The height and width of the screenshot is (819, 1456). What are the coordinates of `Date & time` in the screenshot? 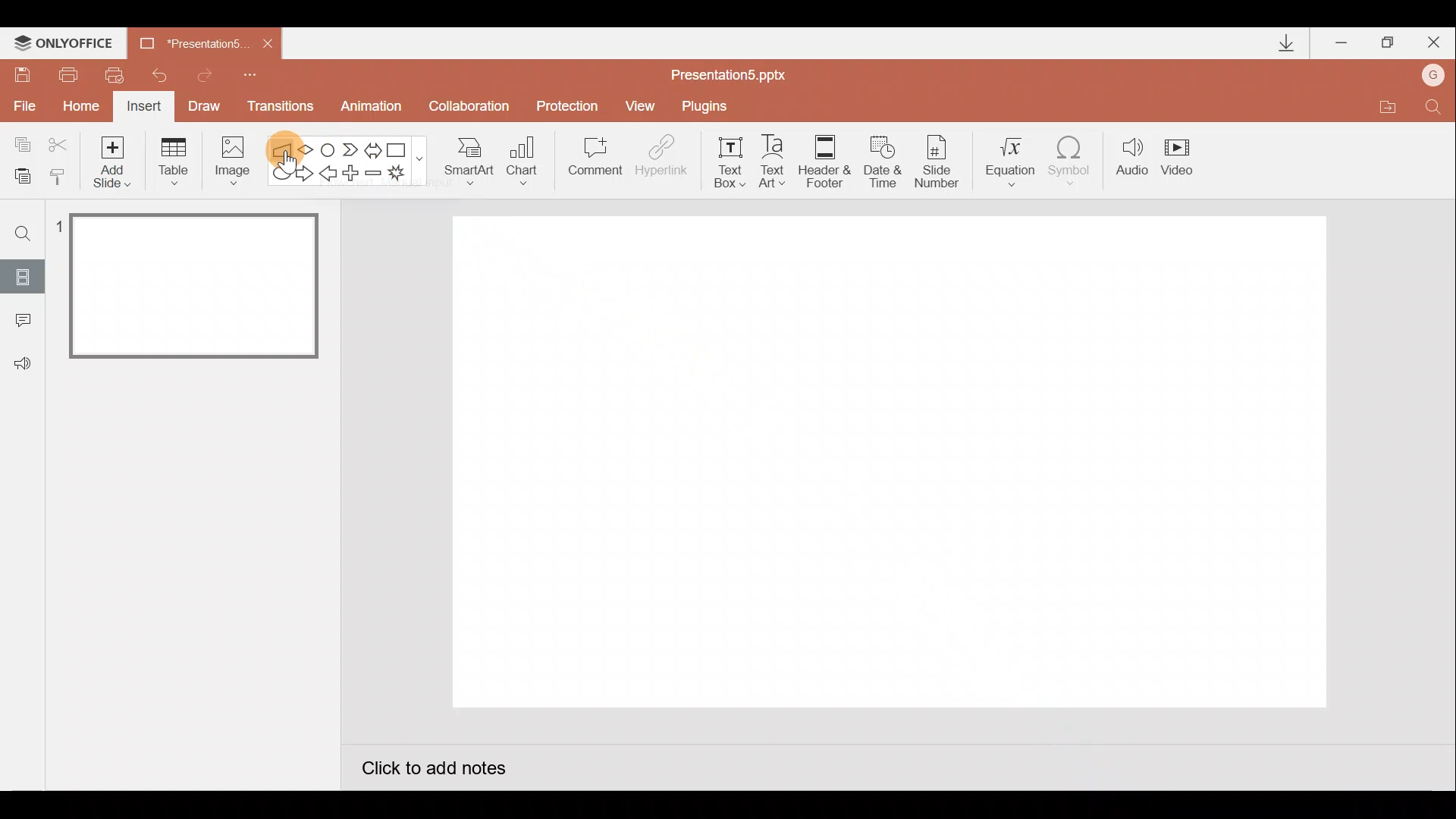 It's located at (881, 158).